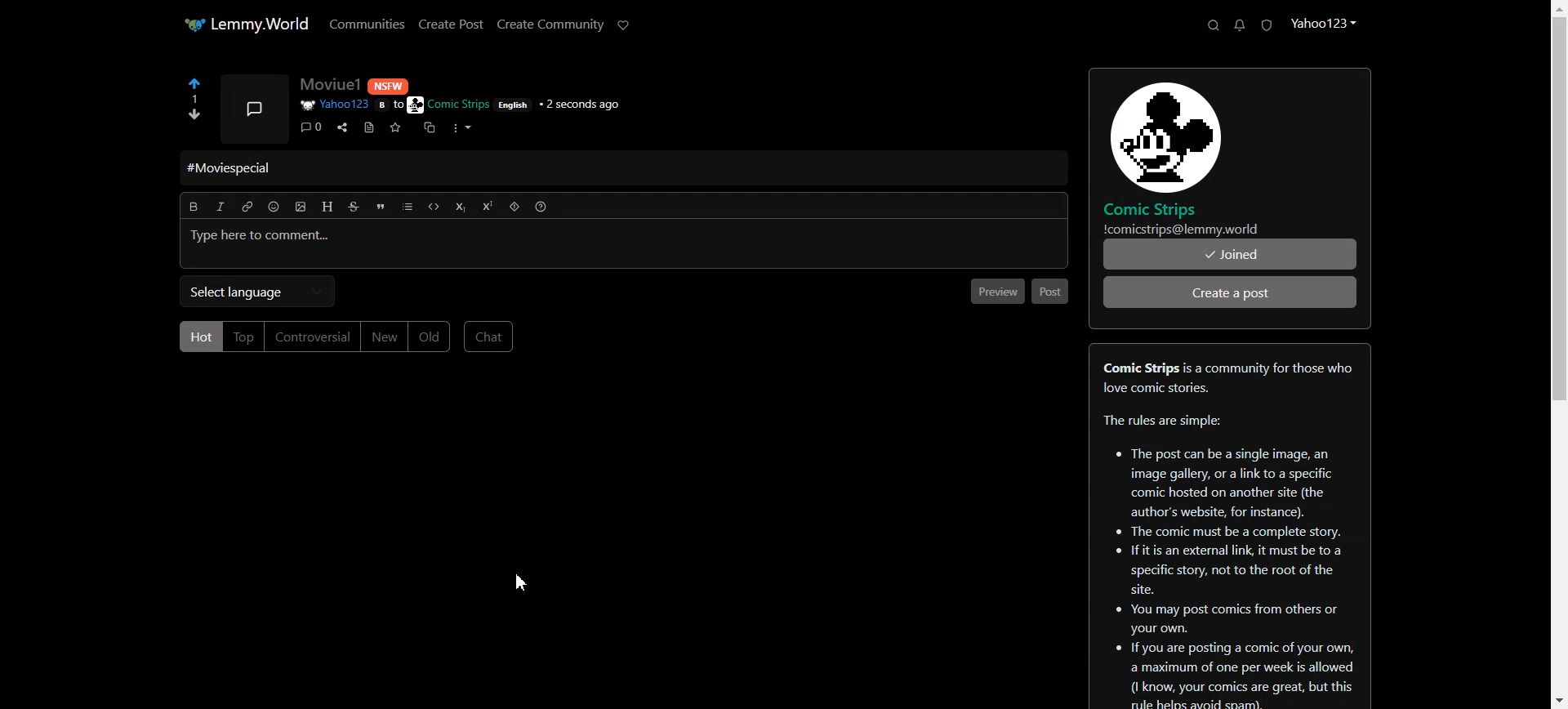 Image resolution: width=1568 pixels, height=709 pixels. I want to click on Profile Pic, so click(256, 108).